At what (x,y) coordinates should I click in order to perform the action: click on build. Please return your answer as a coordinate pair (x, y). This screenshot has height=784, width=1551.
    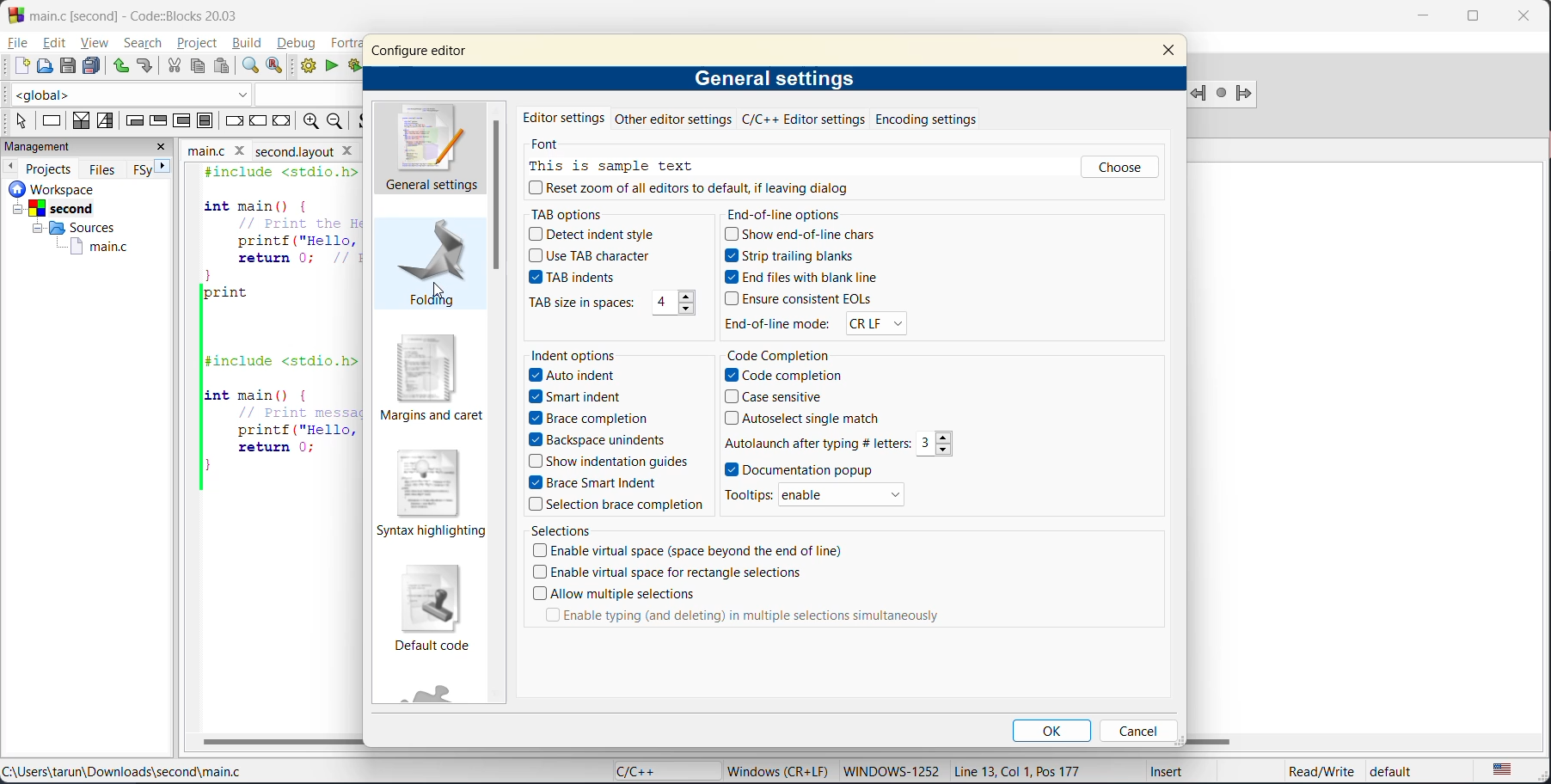
    Looking at the image, I should click on (310, 68).